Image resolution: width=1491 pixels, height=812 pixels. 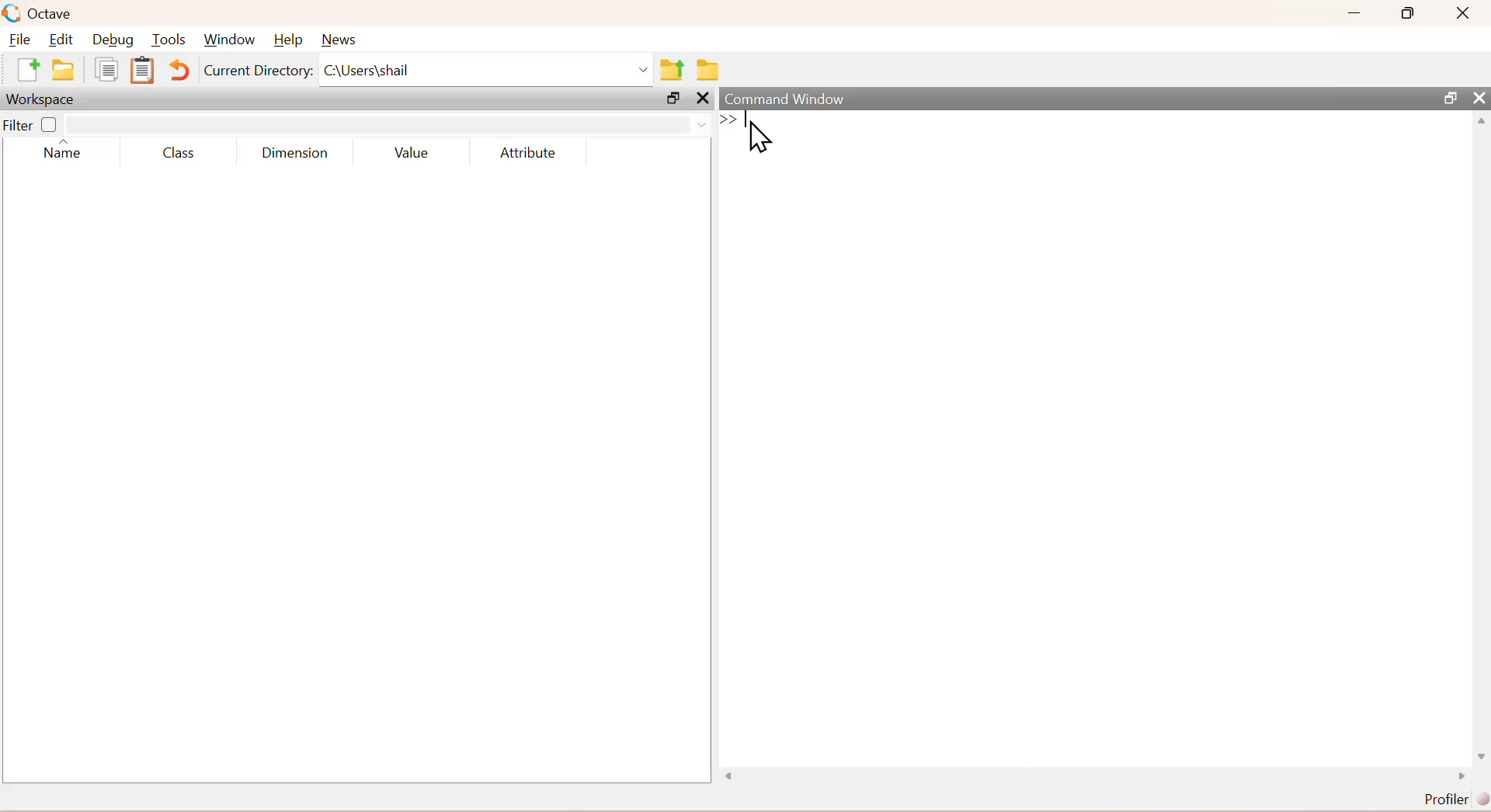 What do you see at coordinates (231, 37) in the screenshot?
I see `Window` at bounding box center [231, 37].